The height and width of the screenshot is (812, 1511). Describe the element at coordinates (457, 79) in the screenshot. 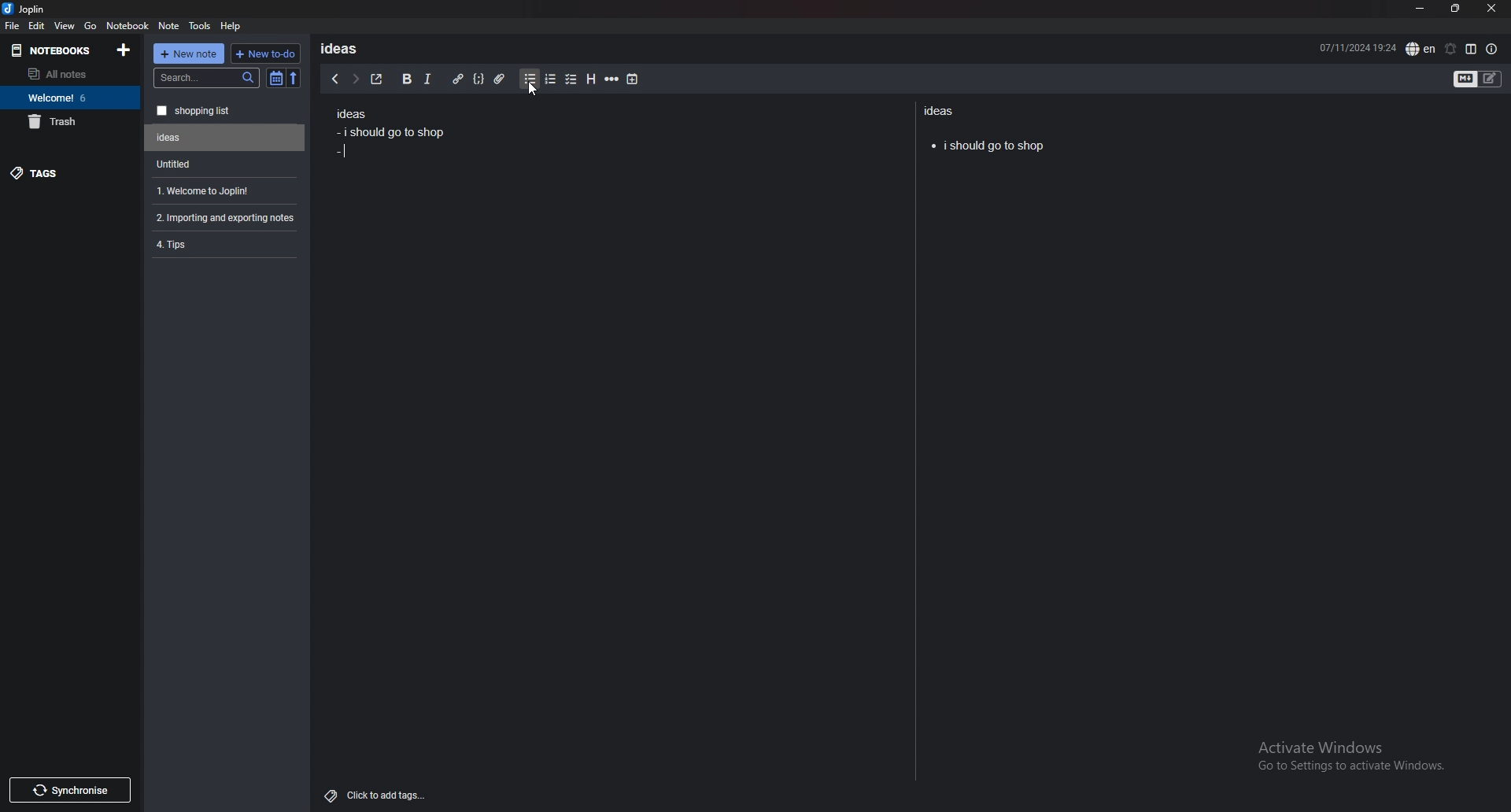

I see `hyperlink` at that location.